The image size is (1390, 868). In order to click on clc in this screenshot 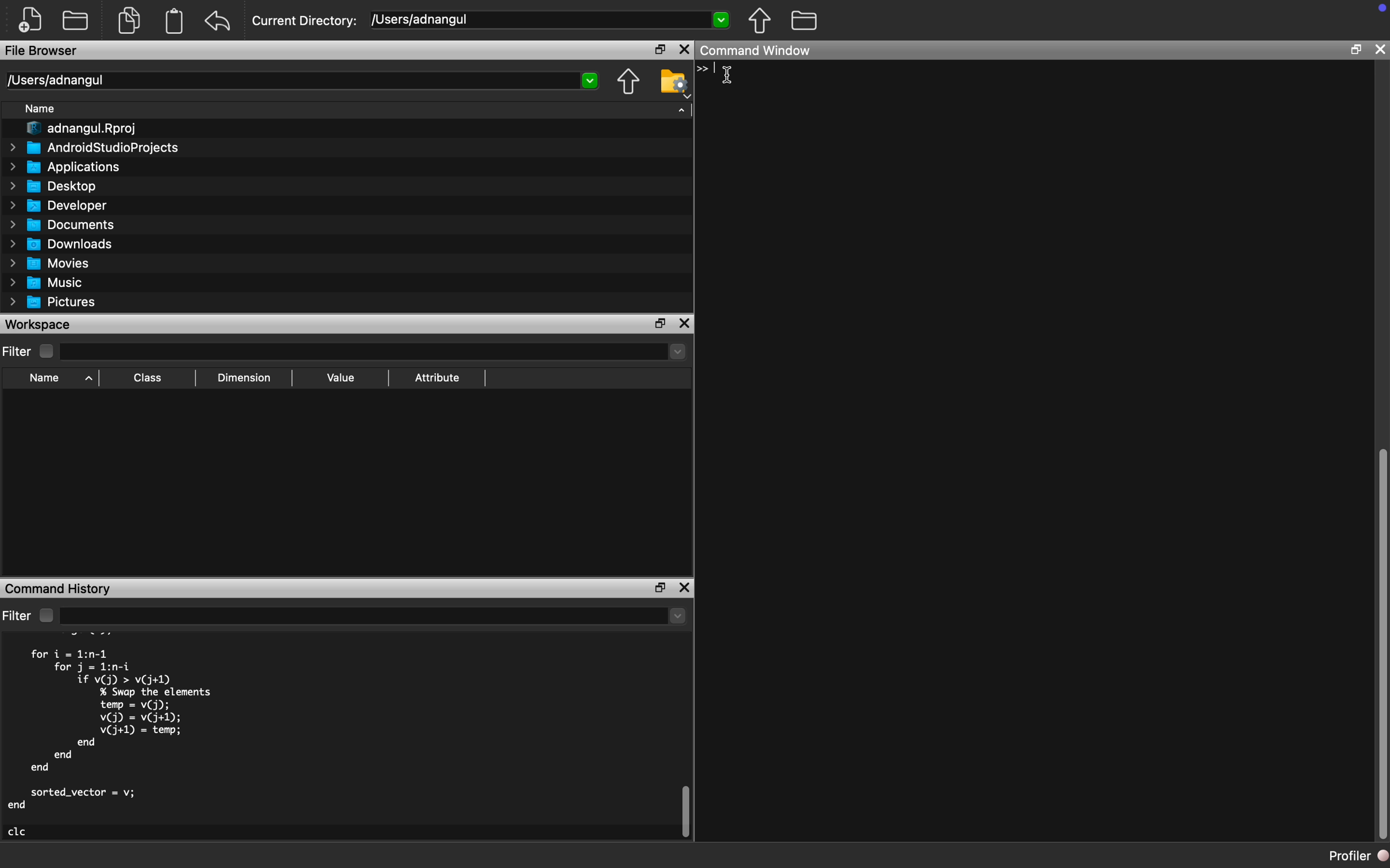, I will do `click(18, 832)`.